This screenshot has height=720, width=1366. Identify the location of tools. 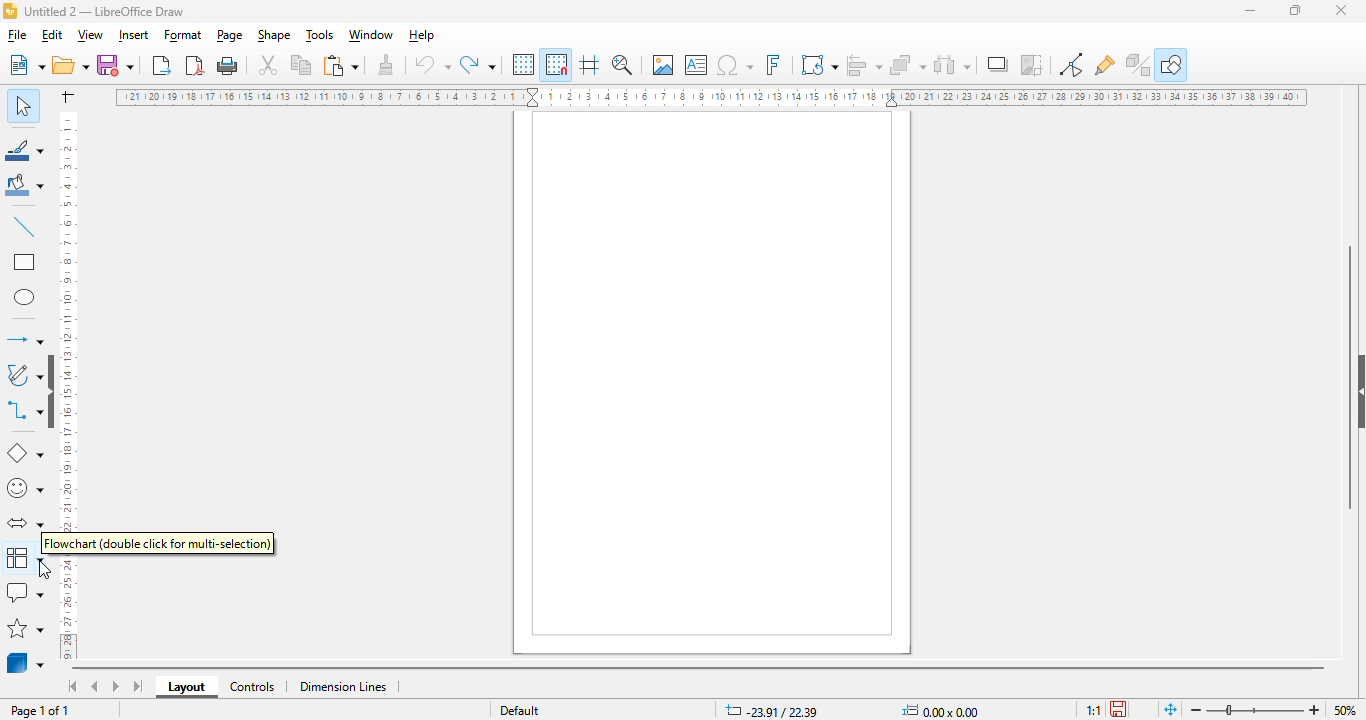
(318, 36).